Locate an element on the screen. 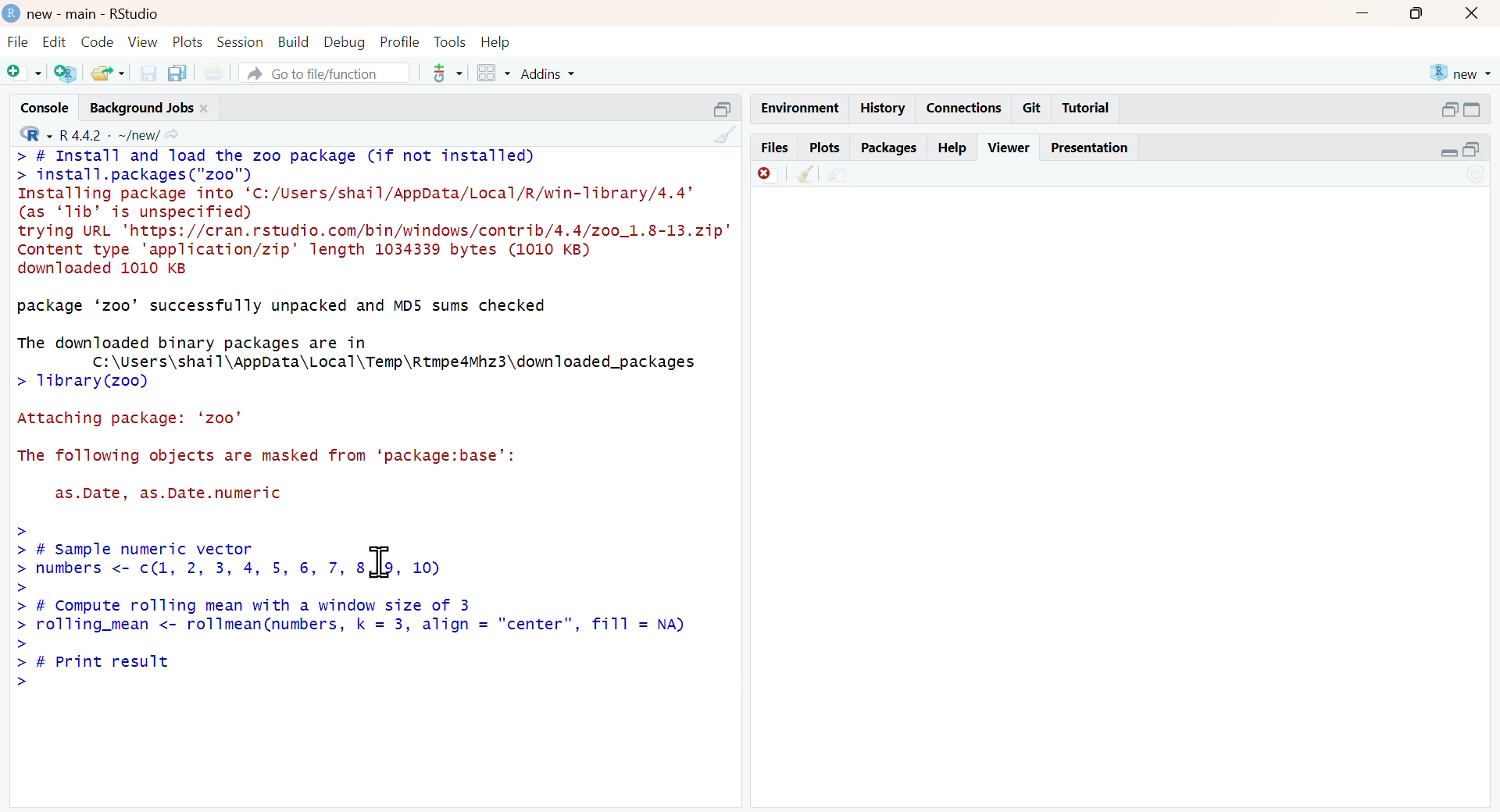  R is located at coordinates (36, 134).